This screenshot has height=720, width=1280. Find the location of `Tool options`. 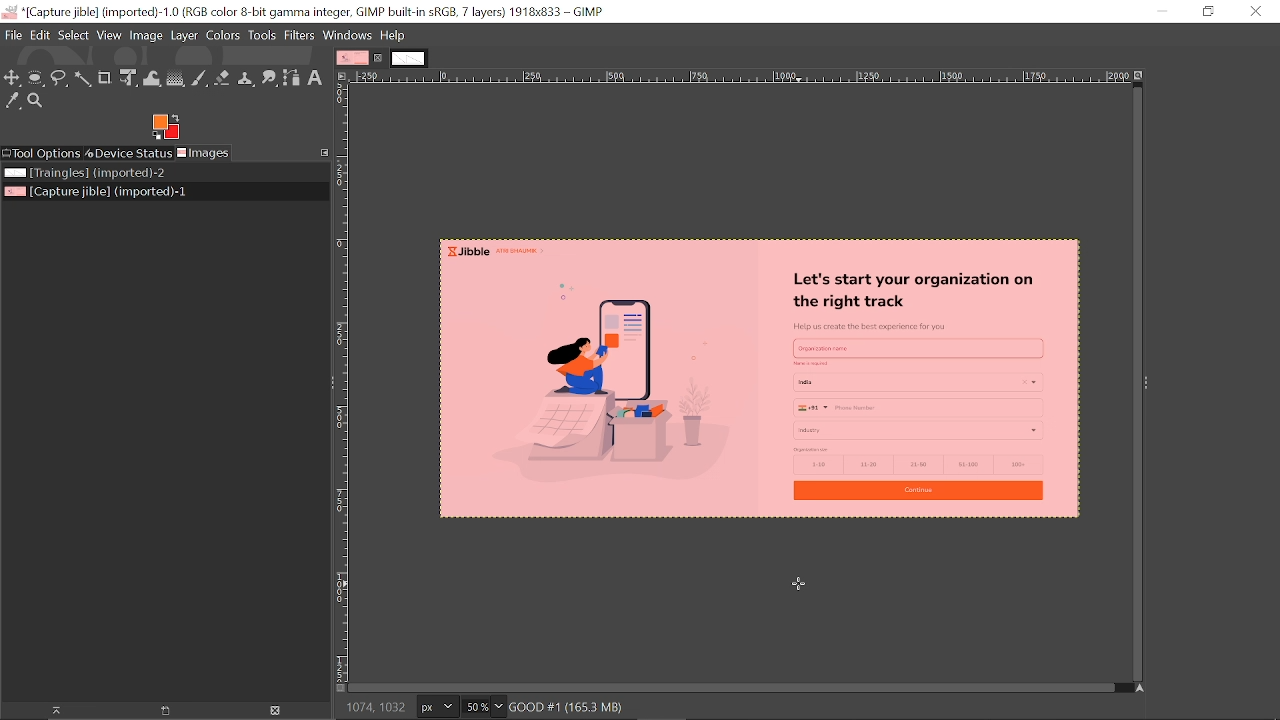

Tool options is located at coordinates (41, 154).